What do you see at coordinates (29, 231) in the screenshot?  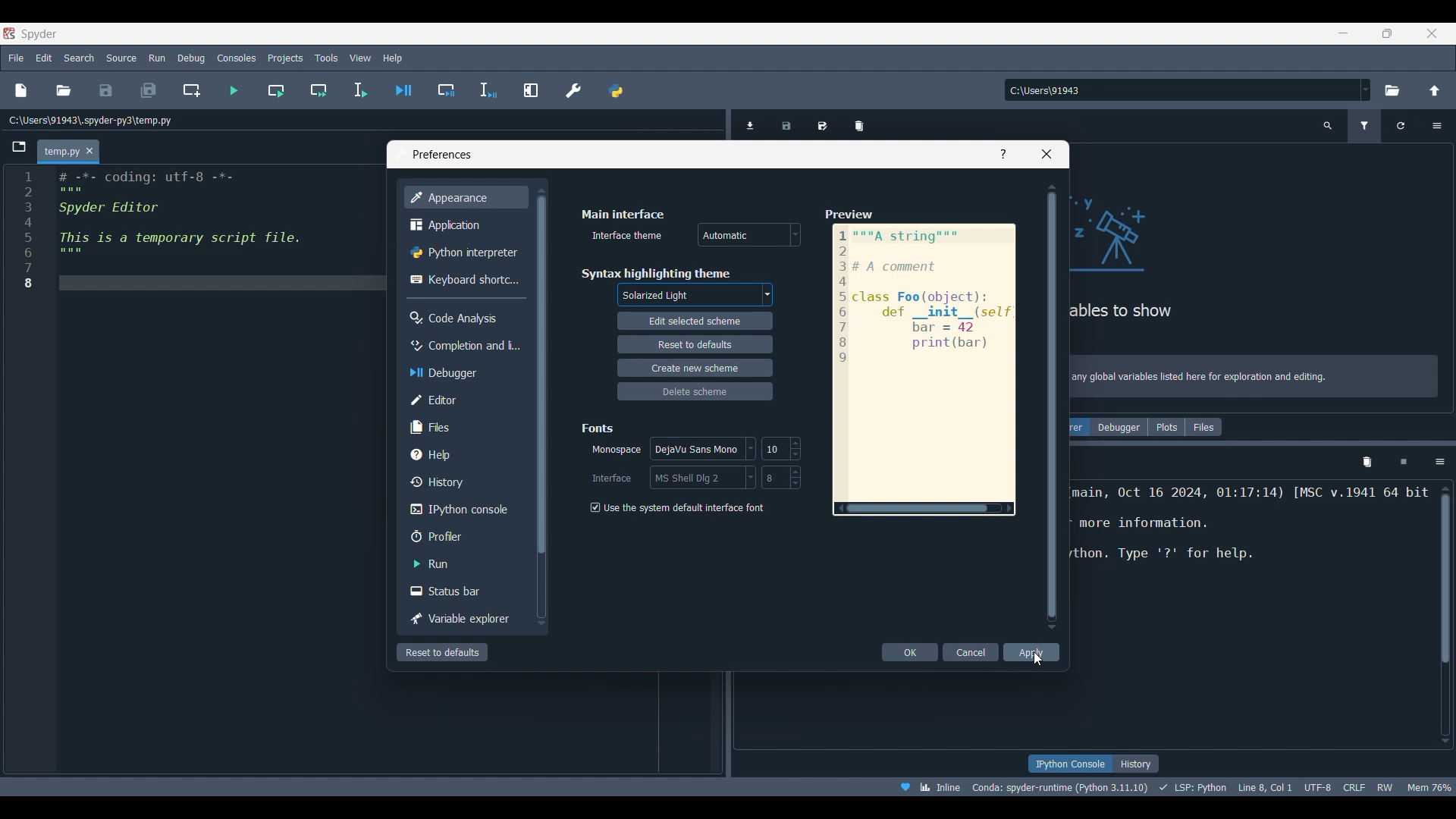 I see `1
2
a
4
5
6
7
8` at bounding box center [29, 231].